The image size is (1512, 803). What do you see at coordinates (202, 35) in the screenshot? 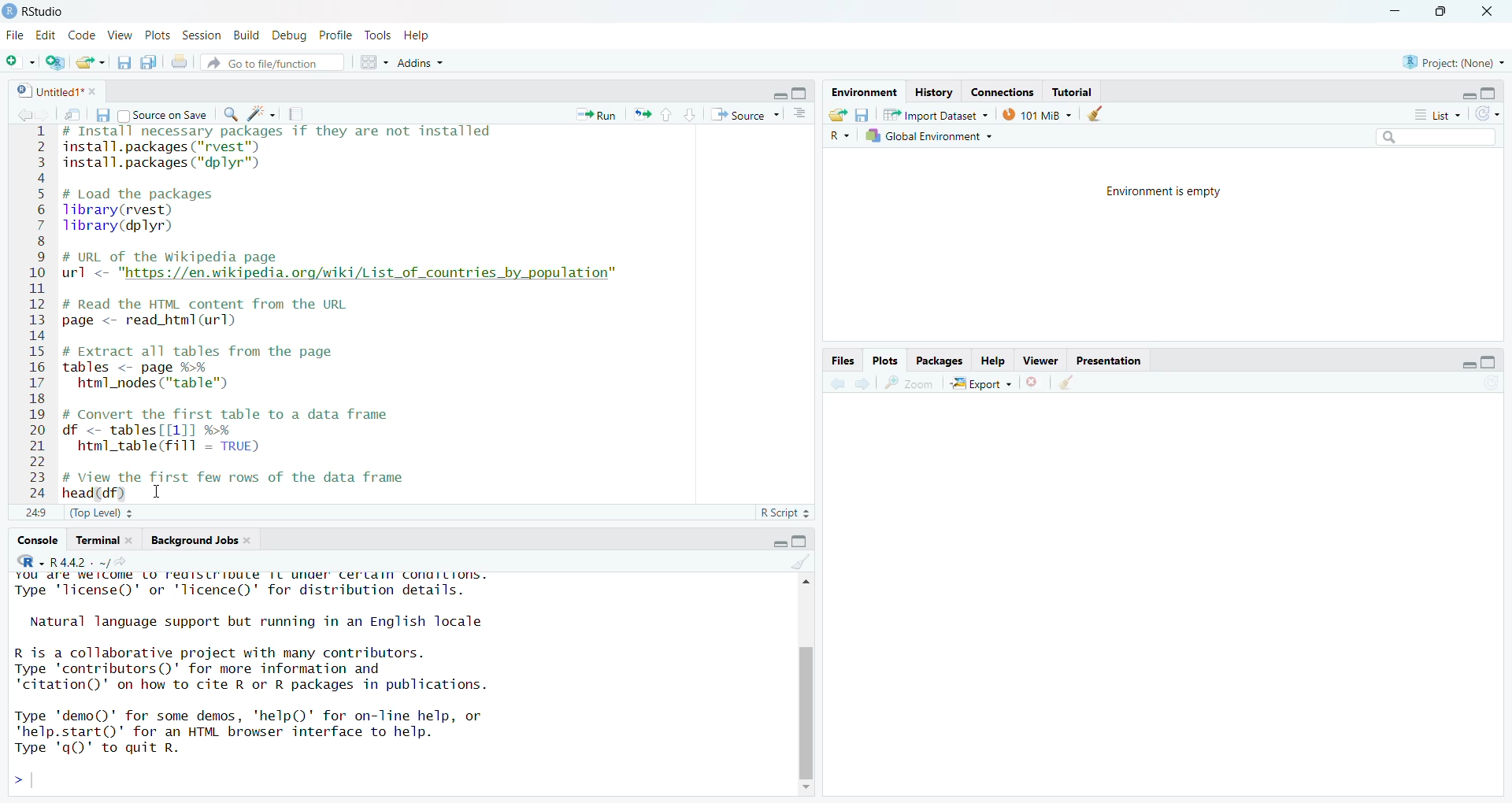
I see `Session` at bounding box center [202, 35].